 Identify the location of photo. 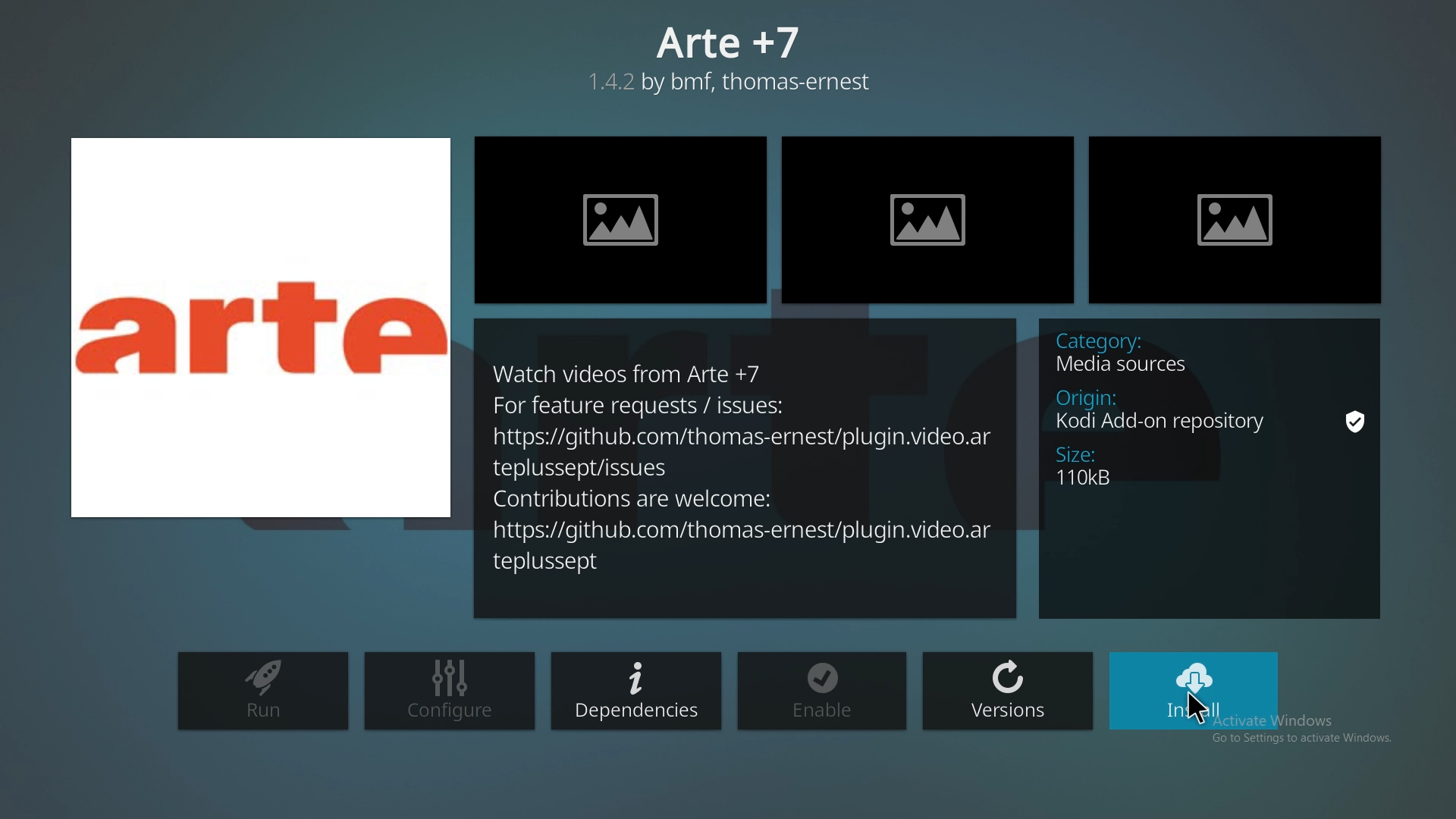
(262, 327).